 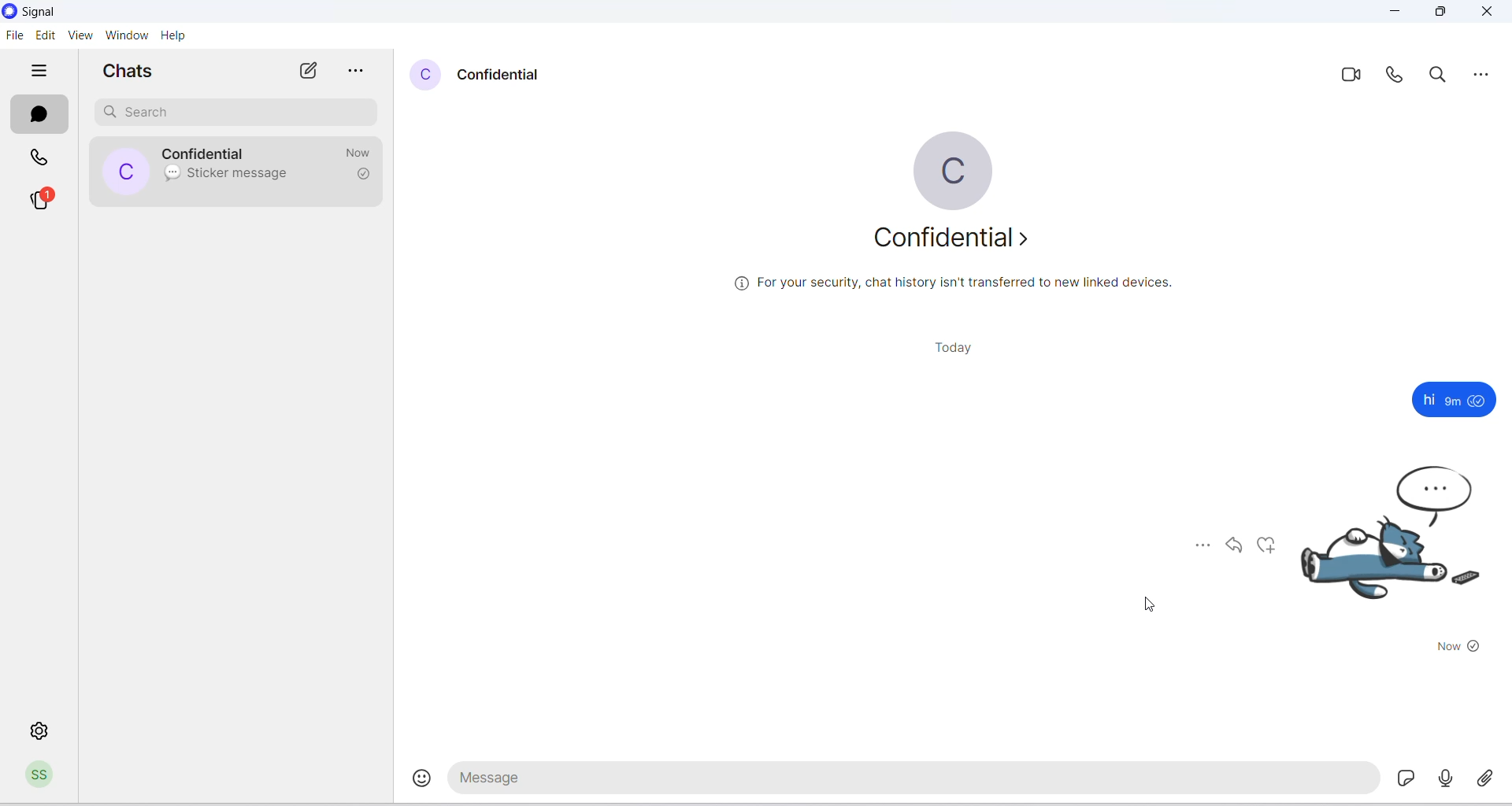 I want to click on 9 m, so click(x=1453, y=401).